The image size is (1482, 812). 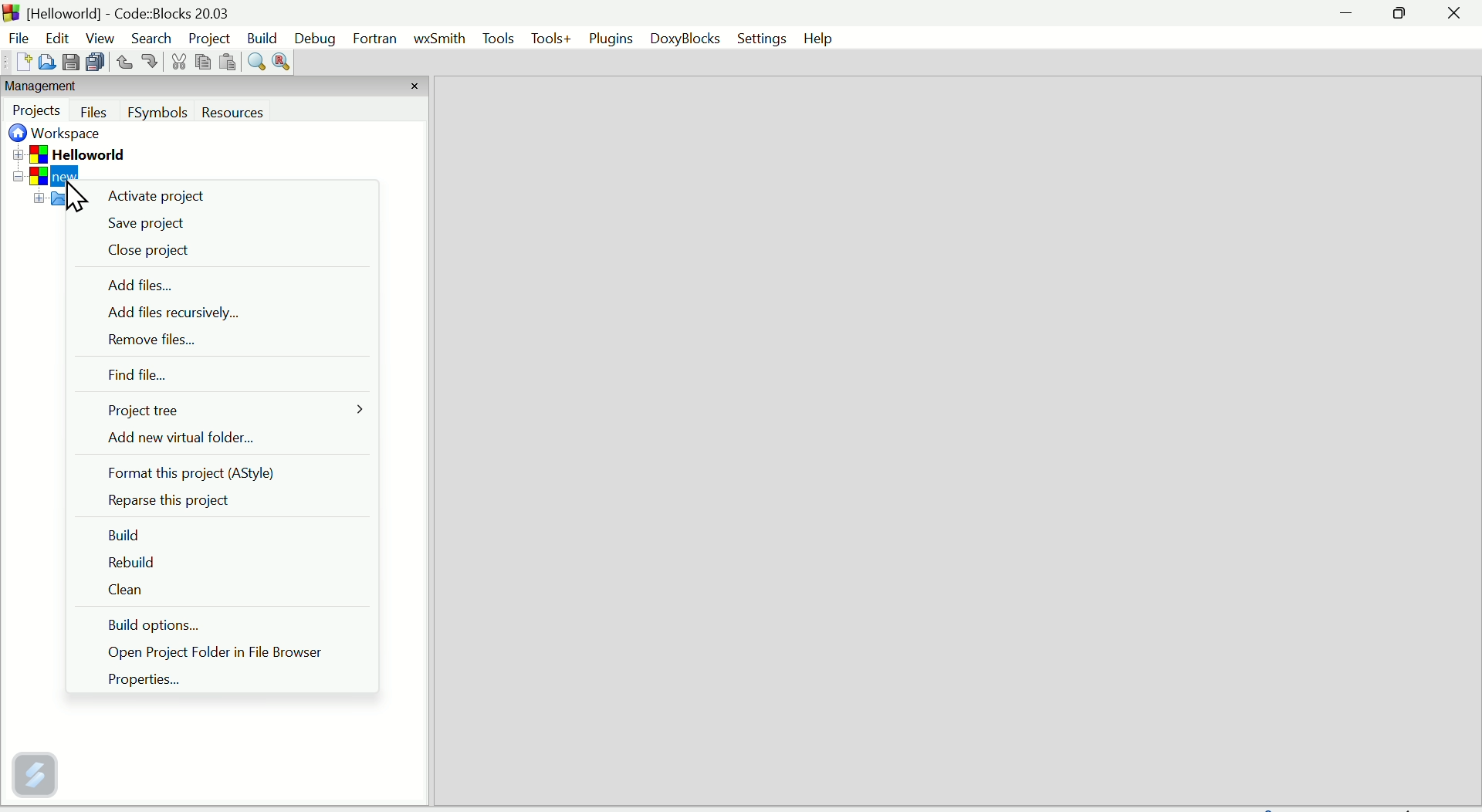 I want to click on Resources, so click(x=259, y=113).